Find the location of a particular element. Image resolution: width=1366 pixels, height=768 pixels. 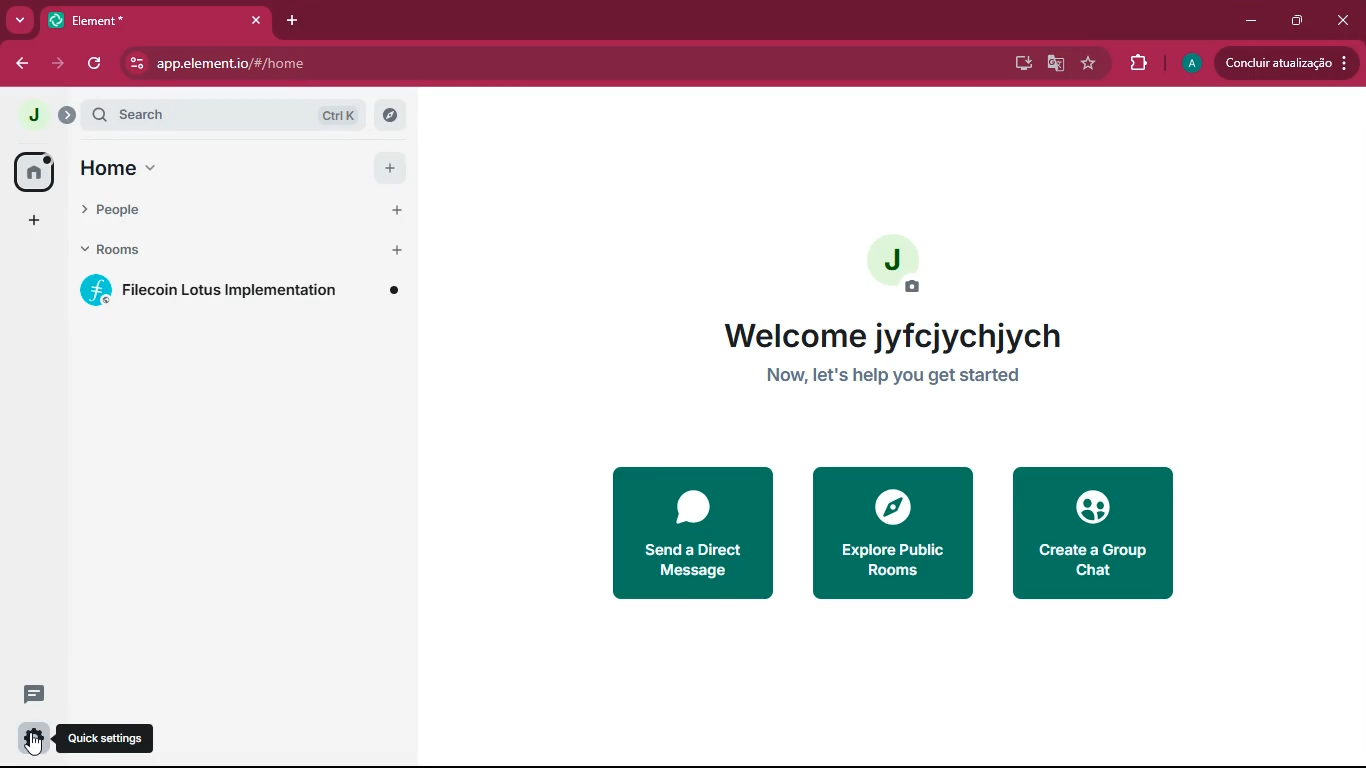

explore is located at coordinates (890, 532).